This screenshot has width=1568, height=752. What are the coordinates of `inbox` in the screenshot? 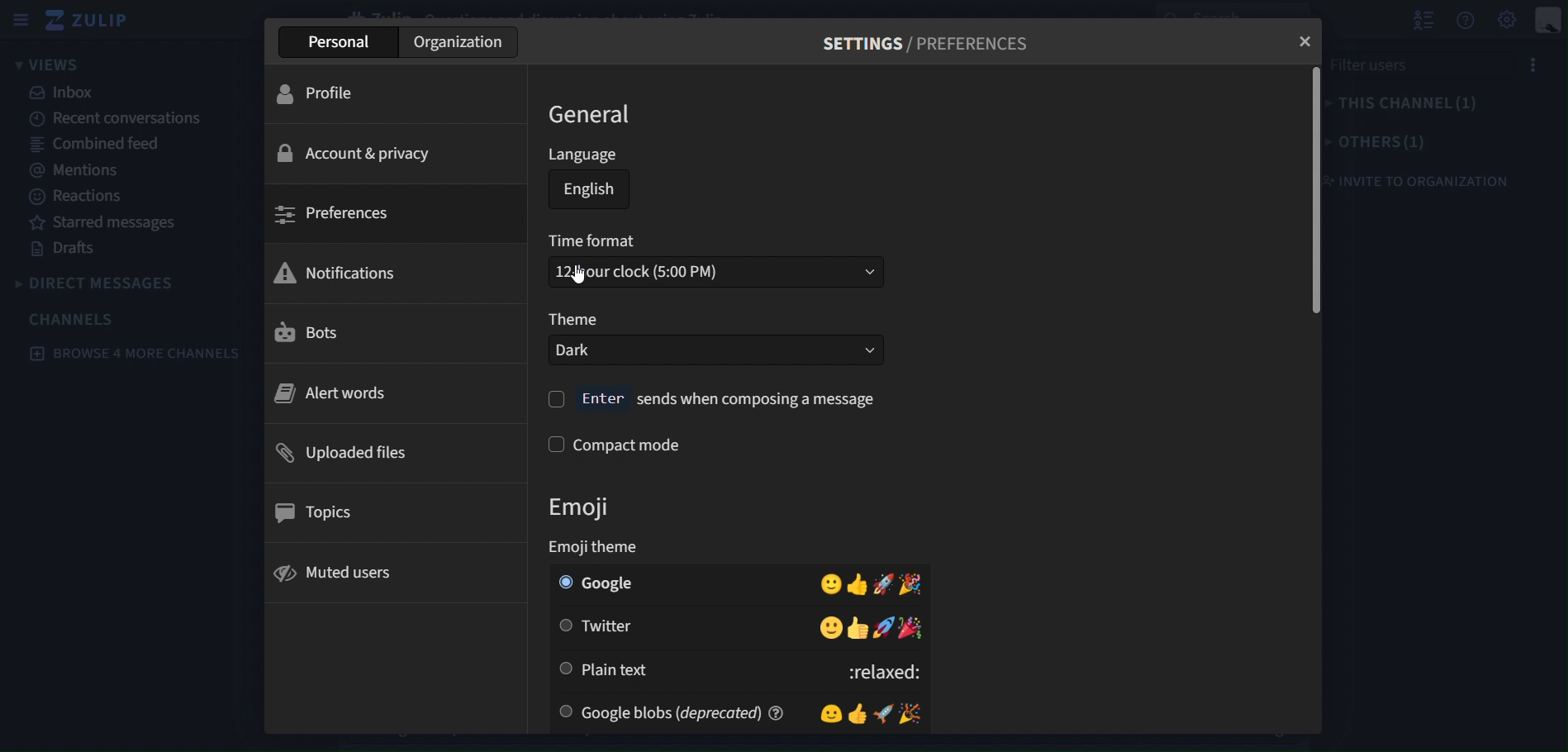 It's located at (62, 93).